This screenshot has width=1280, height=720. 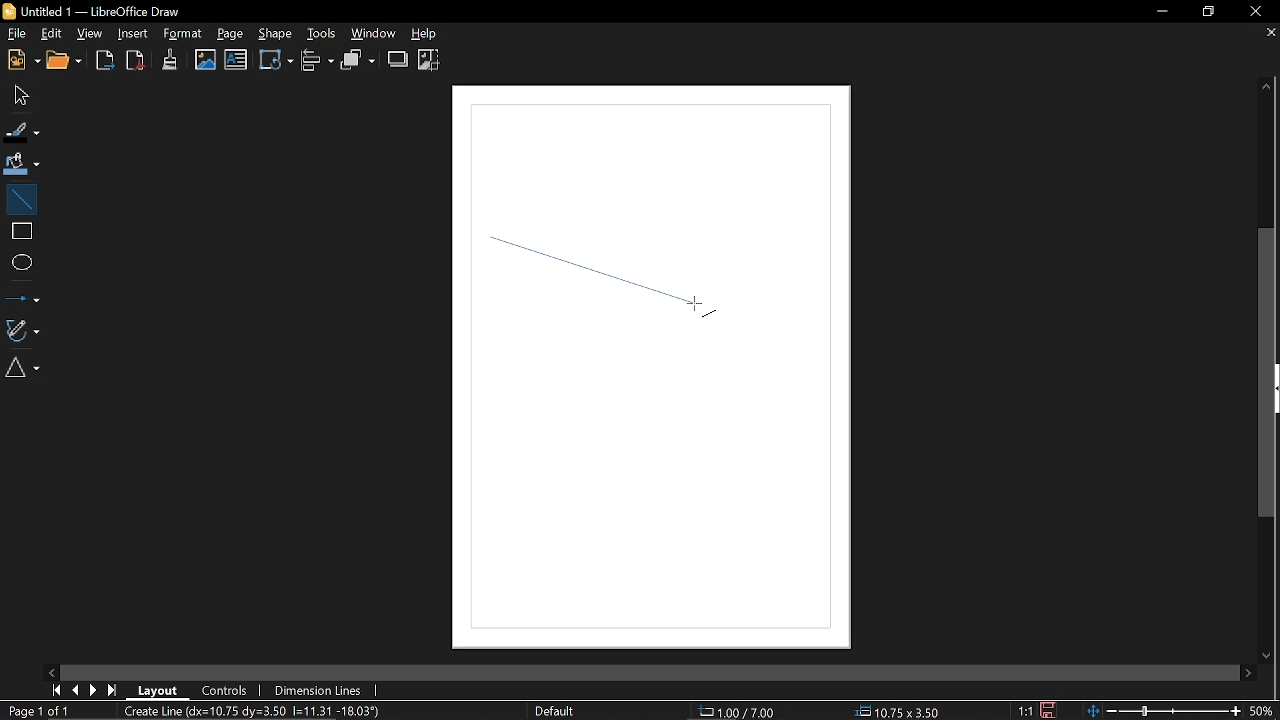 What do you see at coordinates (612, 289) in the screenshot?
I see `Line drawn` at bounding box center [612, 289].